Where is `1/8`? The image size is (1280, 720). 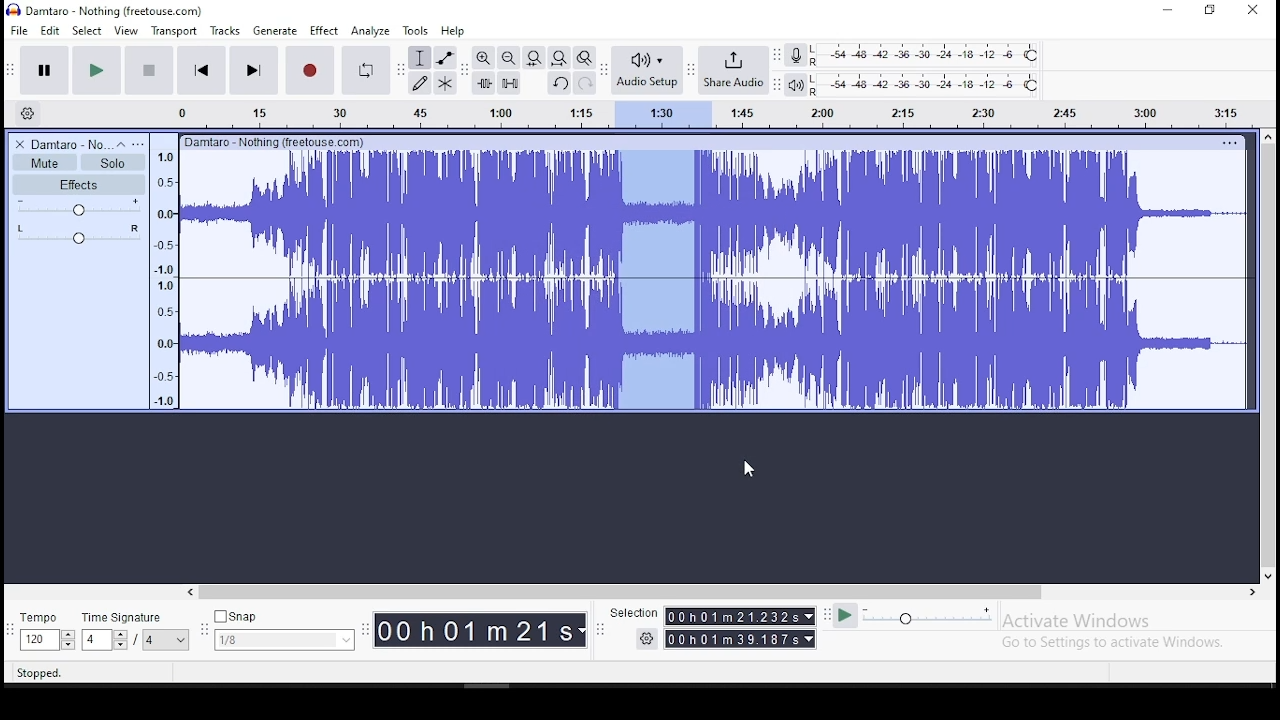
1/8 is located at coordinates (269, 640).